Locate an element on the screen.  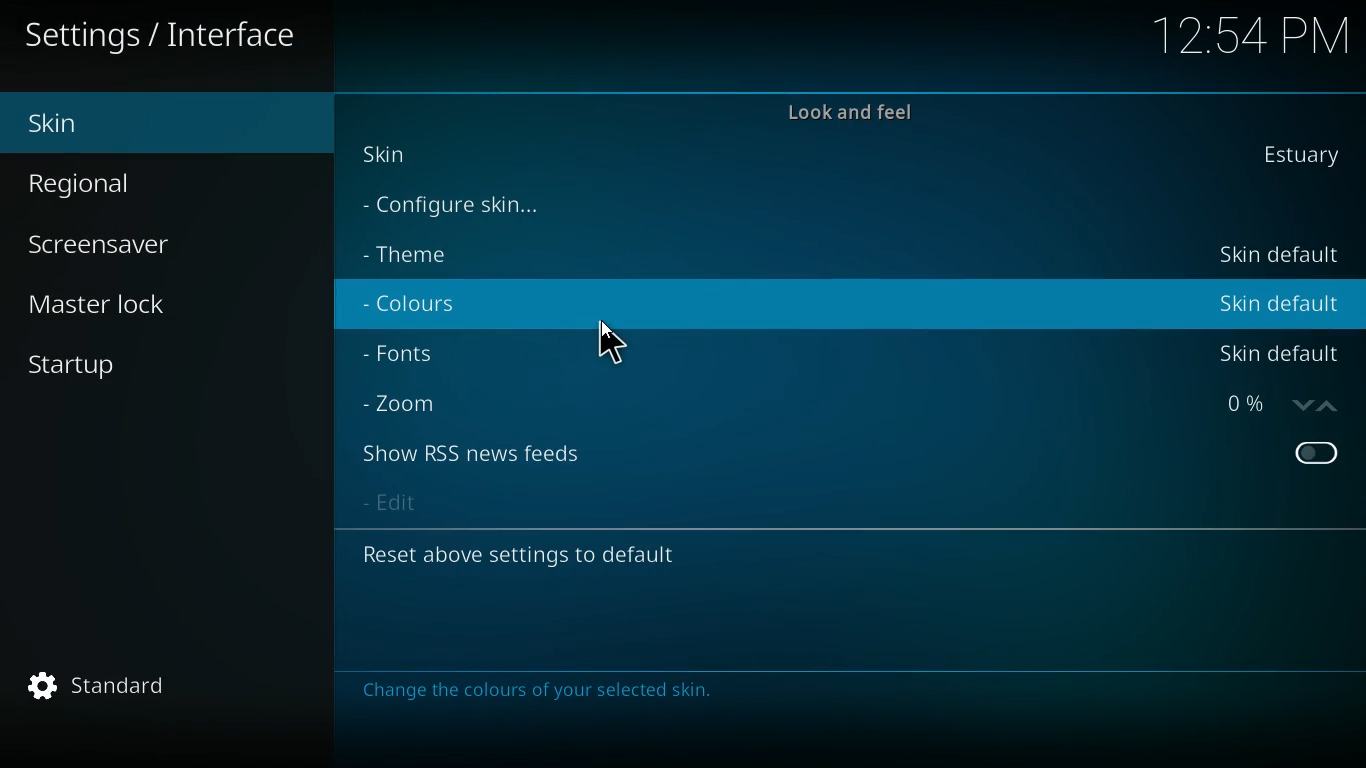
screensaver is located at coordinates (126, 242).